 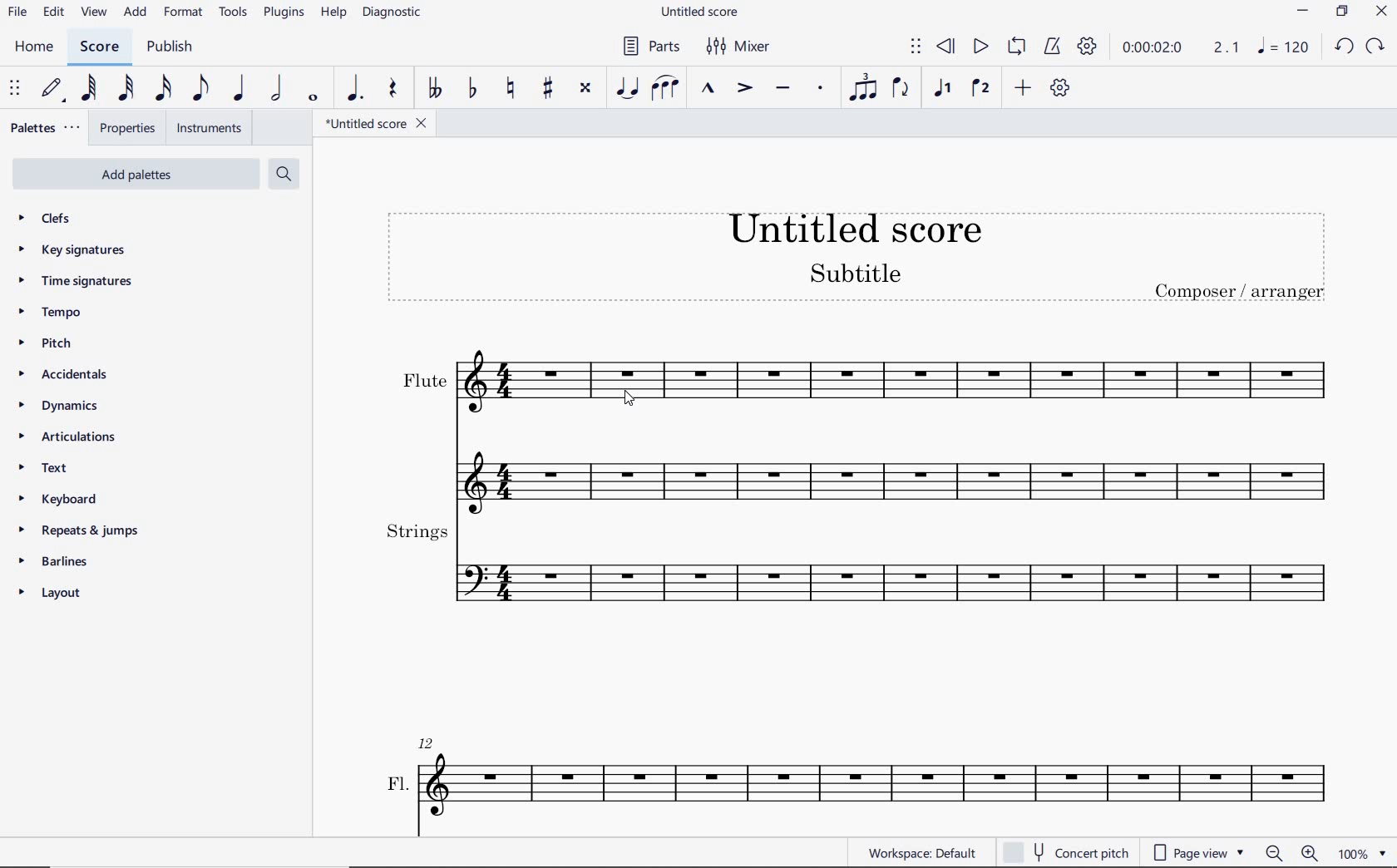 I want to click on PALETTES, so click(x=47, y=126).